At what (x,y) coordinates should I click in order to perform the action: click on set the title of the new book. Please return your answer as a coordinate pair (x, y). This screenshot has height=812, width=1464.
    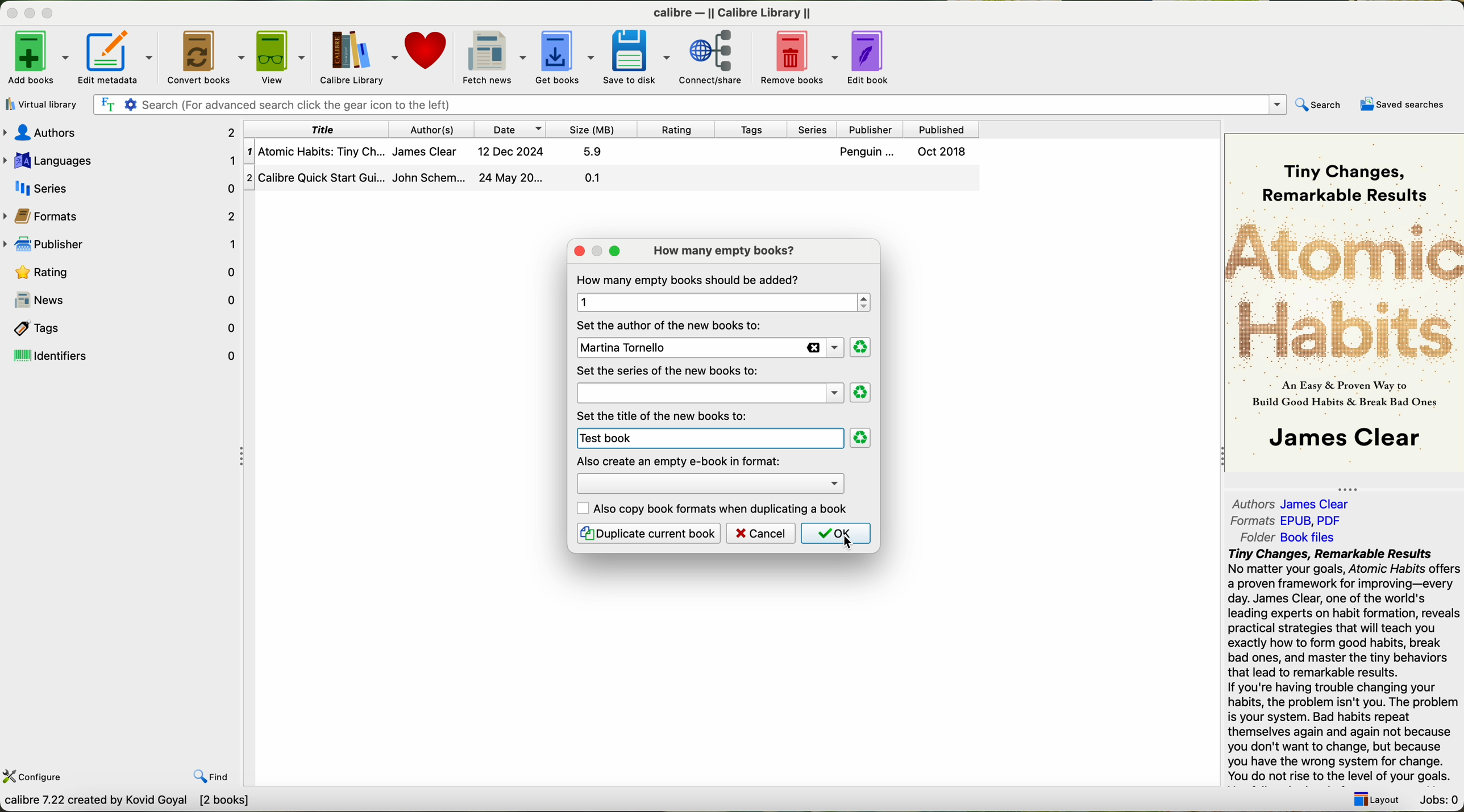
    Looking at the image, I should click on (666, 415).